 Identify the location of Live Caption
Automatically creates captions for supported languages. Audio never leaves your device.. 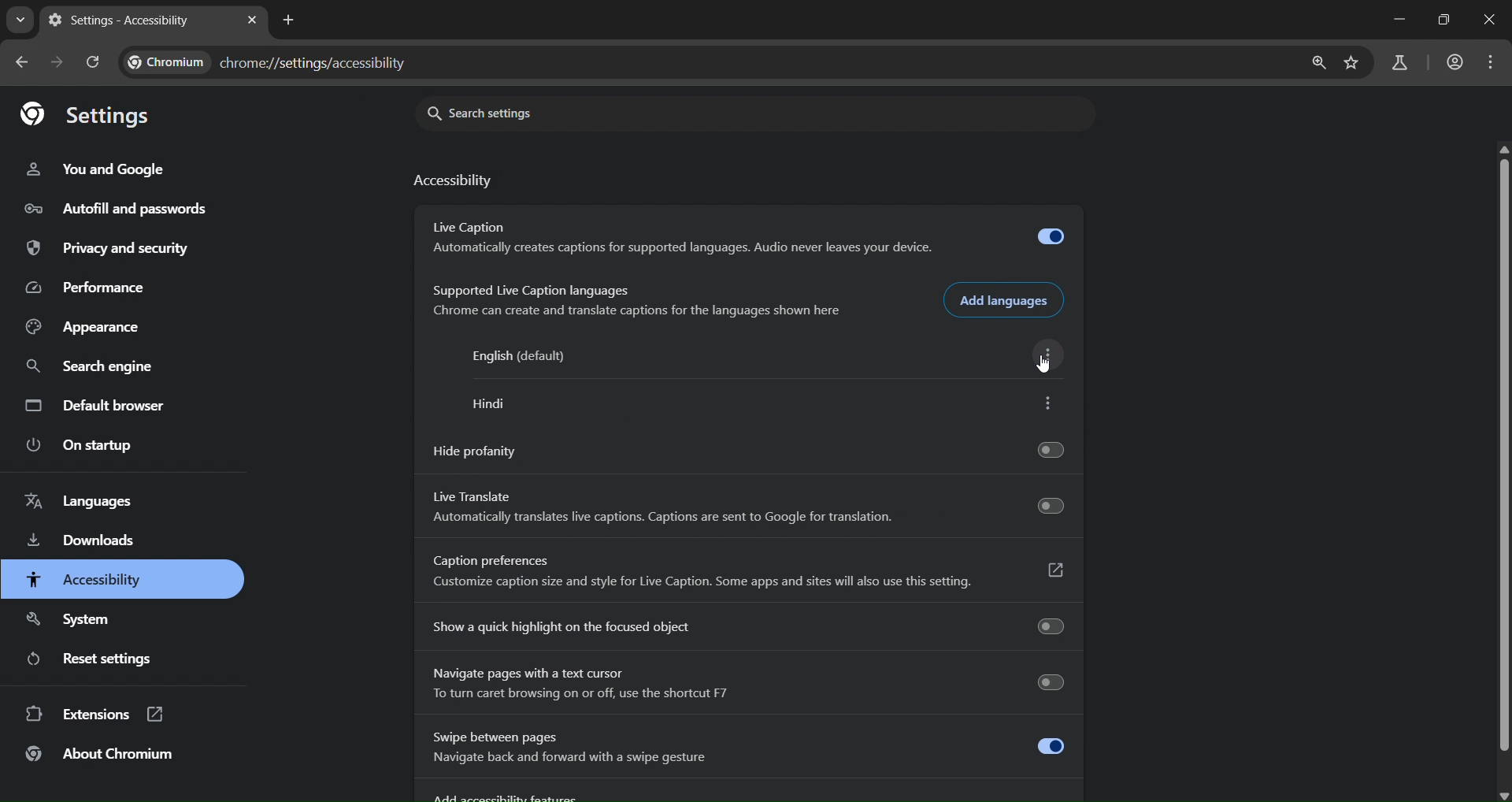
(749, 239).